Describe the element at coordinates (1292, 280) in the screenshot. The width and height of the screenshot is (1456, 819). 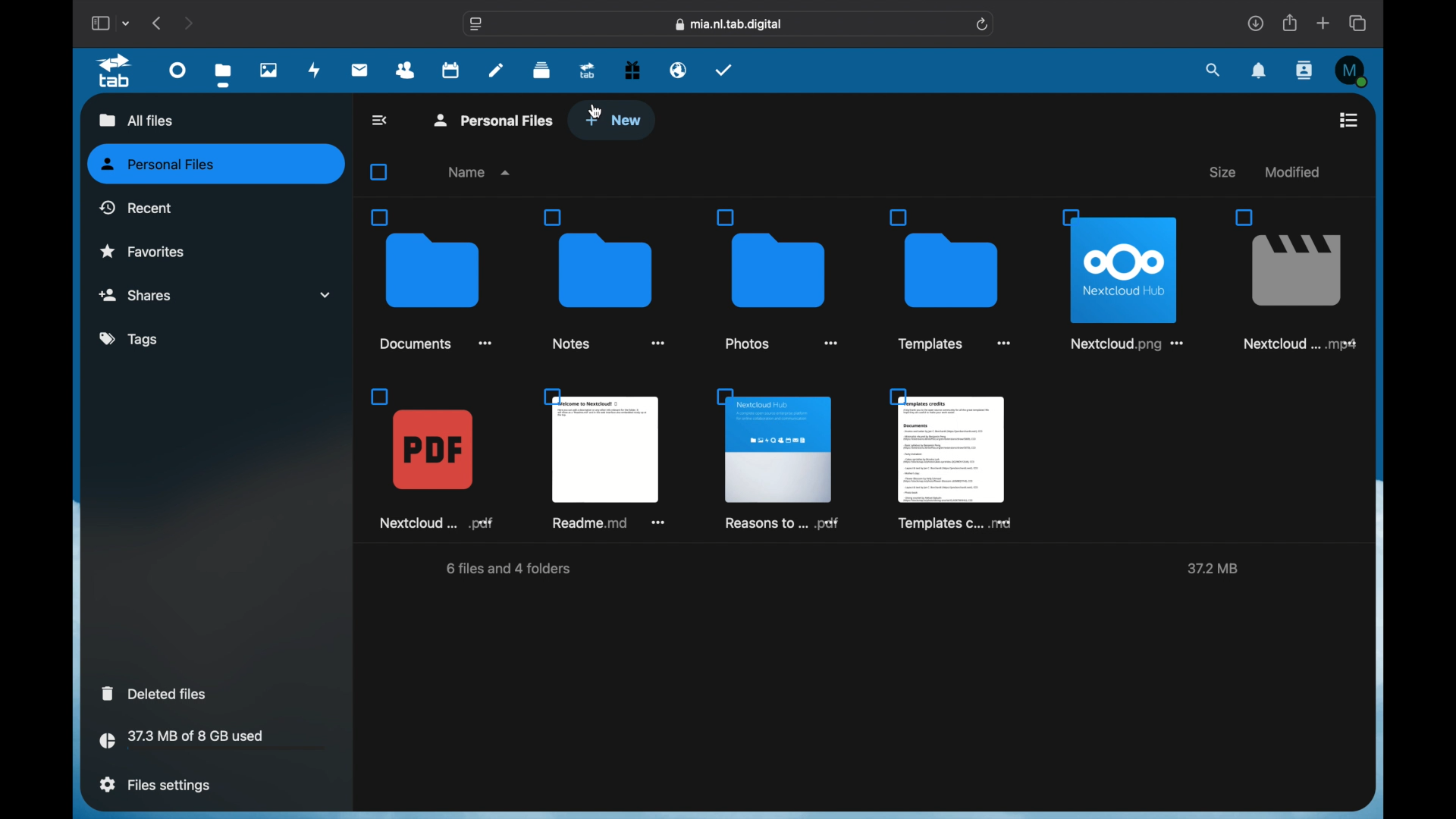
I see `file` at that location.